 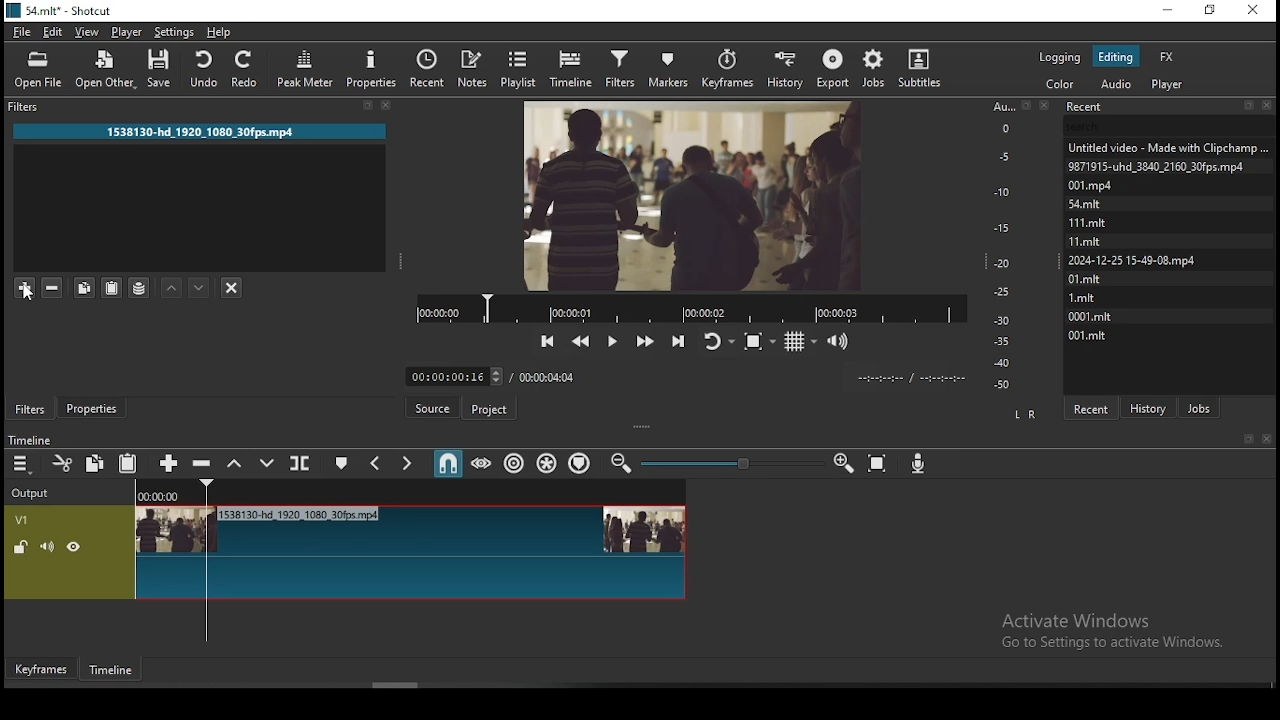 I want to click on notes, so click(x=471, y=68).